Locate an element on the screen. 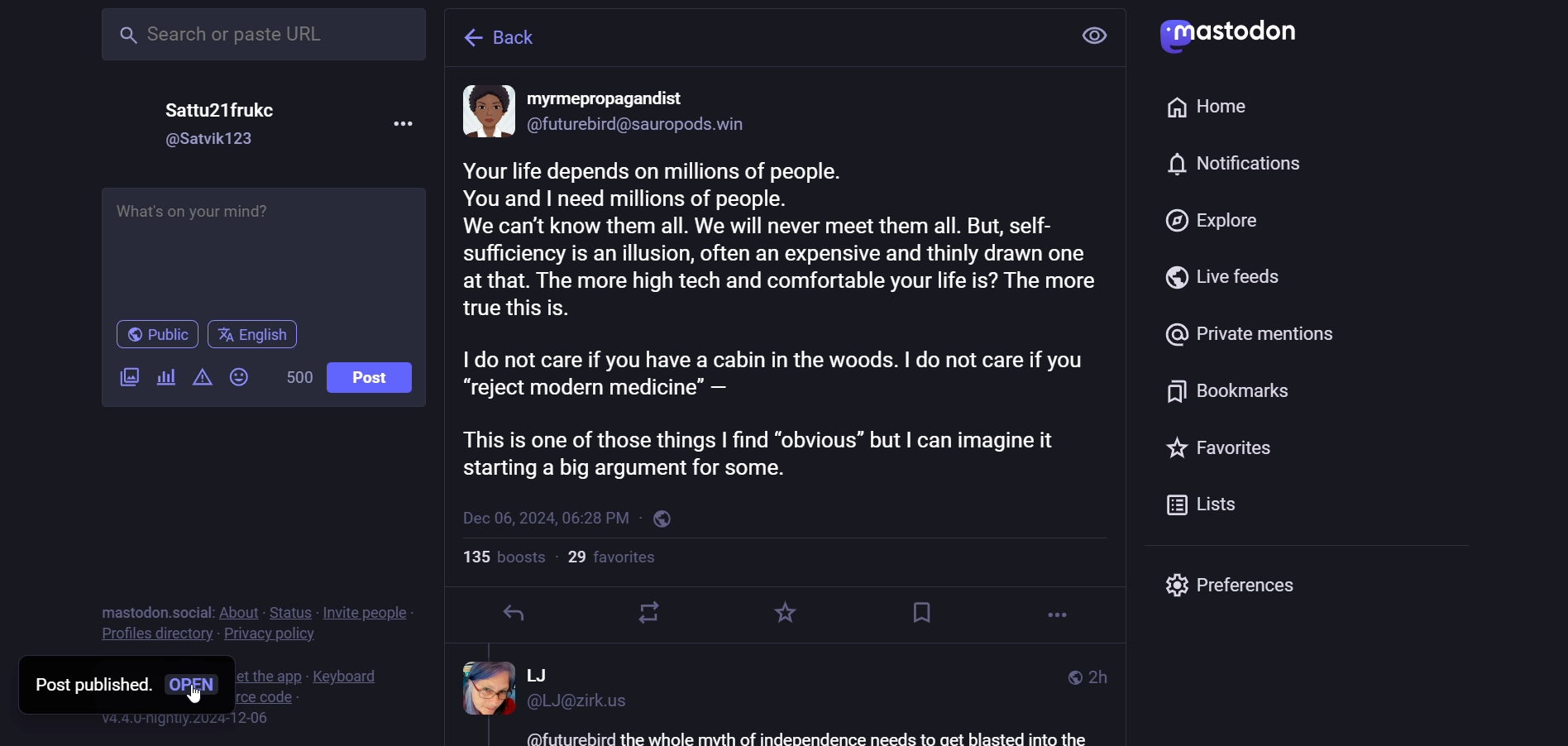 Image resolution: width=1568 pixels, height=746 pixels. favorite is located at coordinates (789, 613).